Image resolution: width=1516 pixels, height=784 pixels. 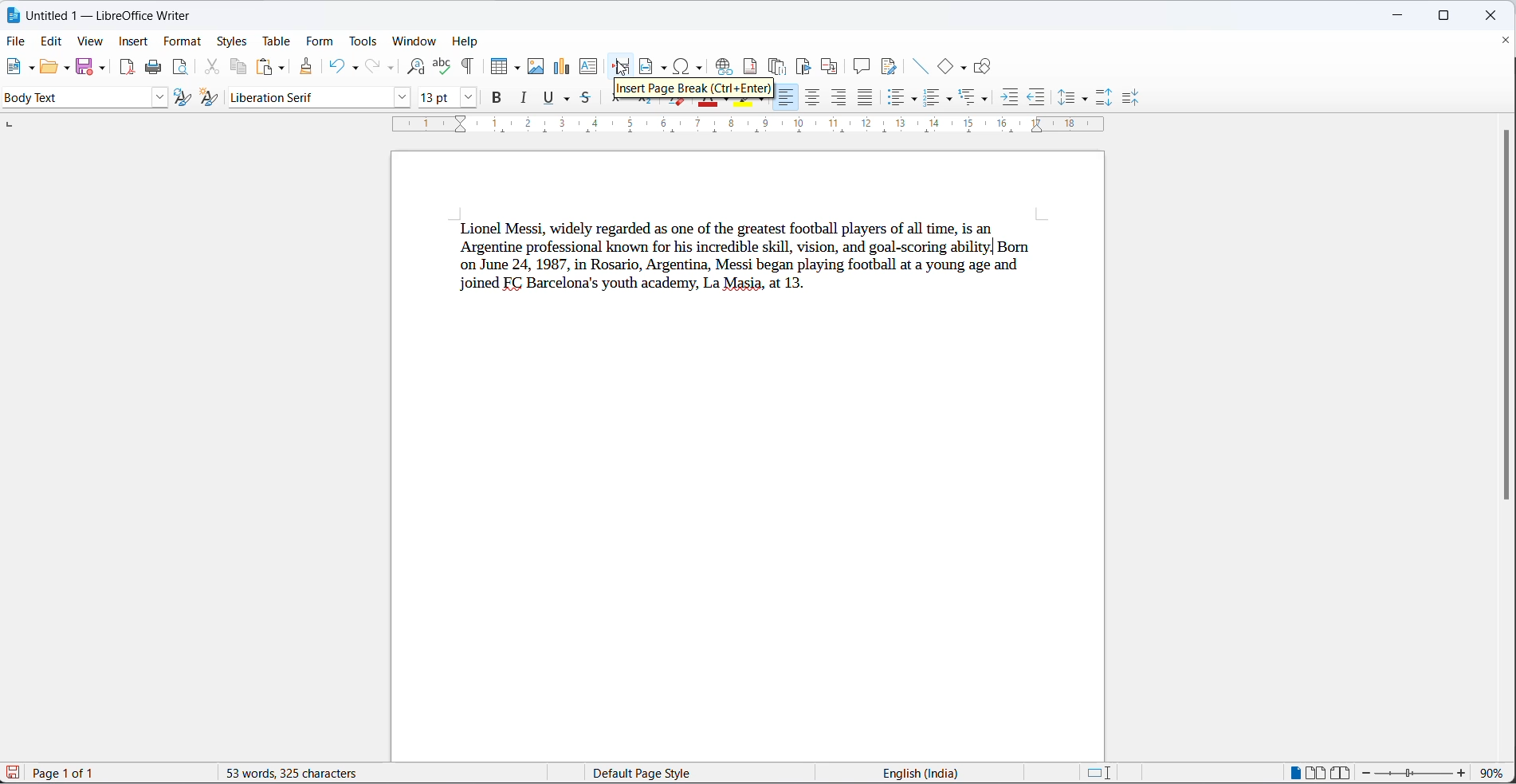 I want to click on insert comments, so click(x=860, y=68).